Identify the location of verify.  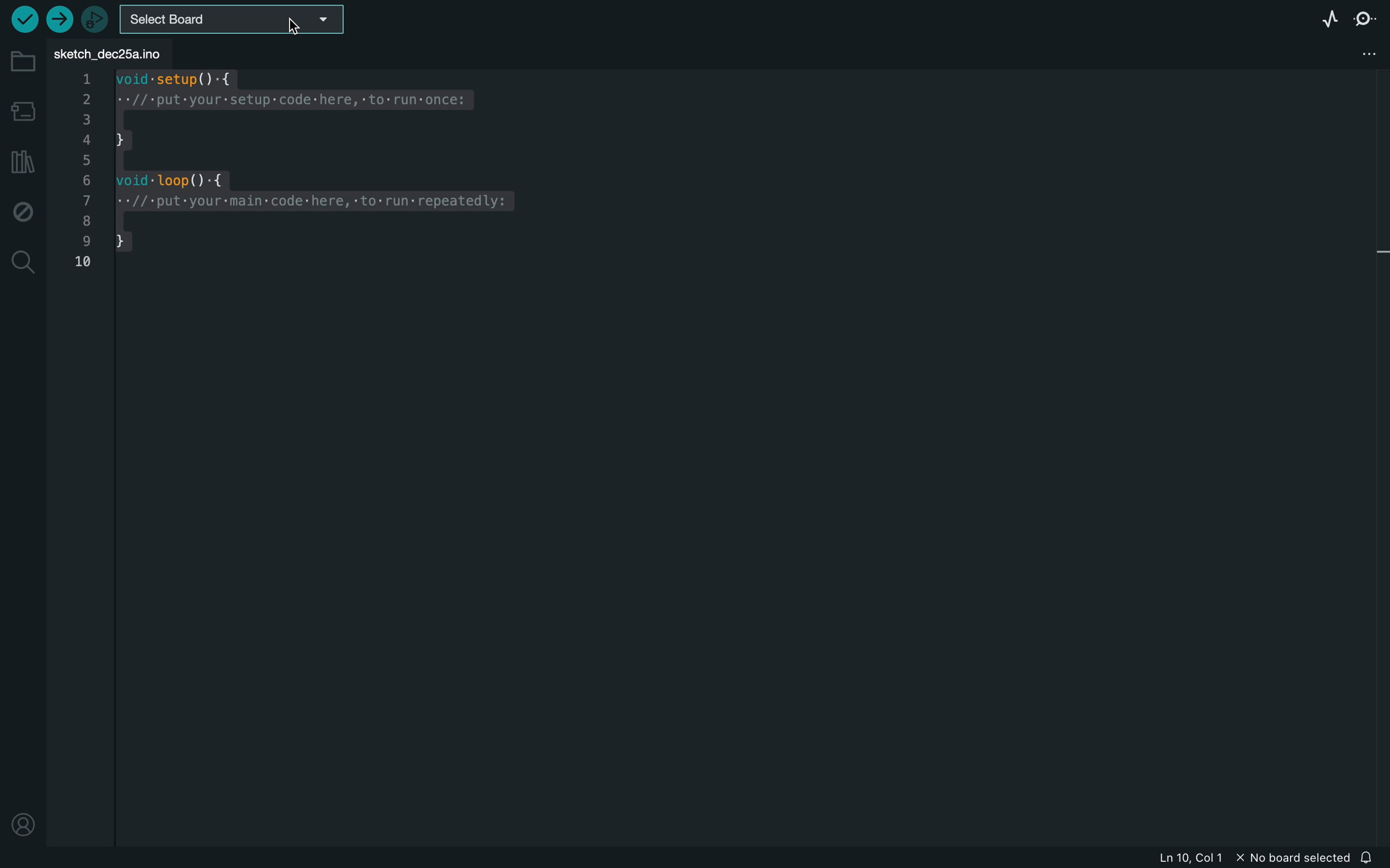
(25, 19).